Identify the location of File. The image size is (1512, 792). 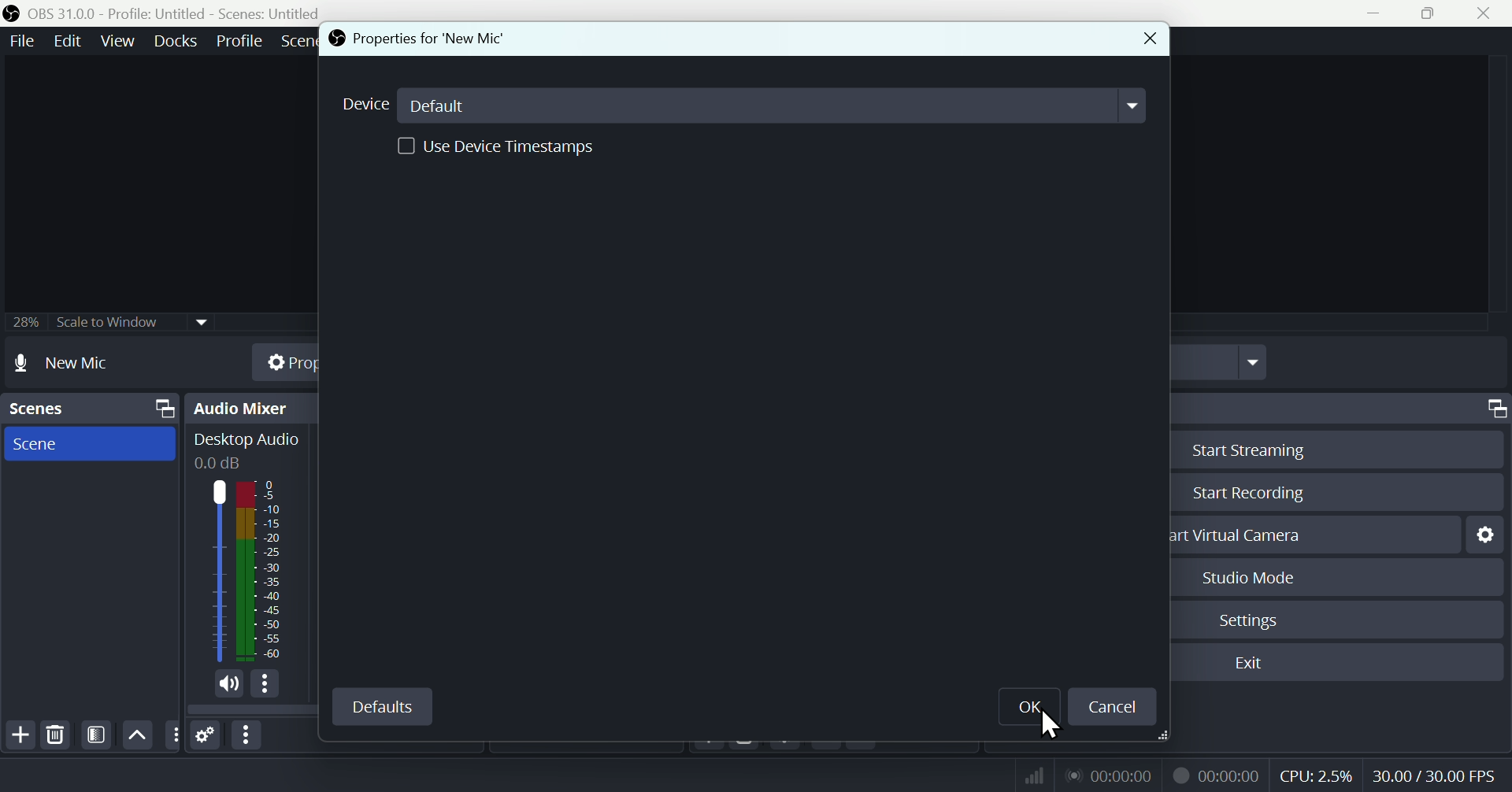
(20, 42).